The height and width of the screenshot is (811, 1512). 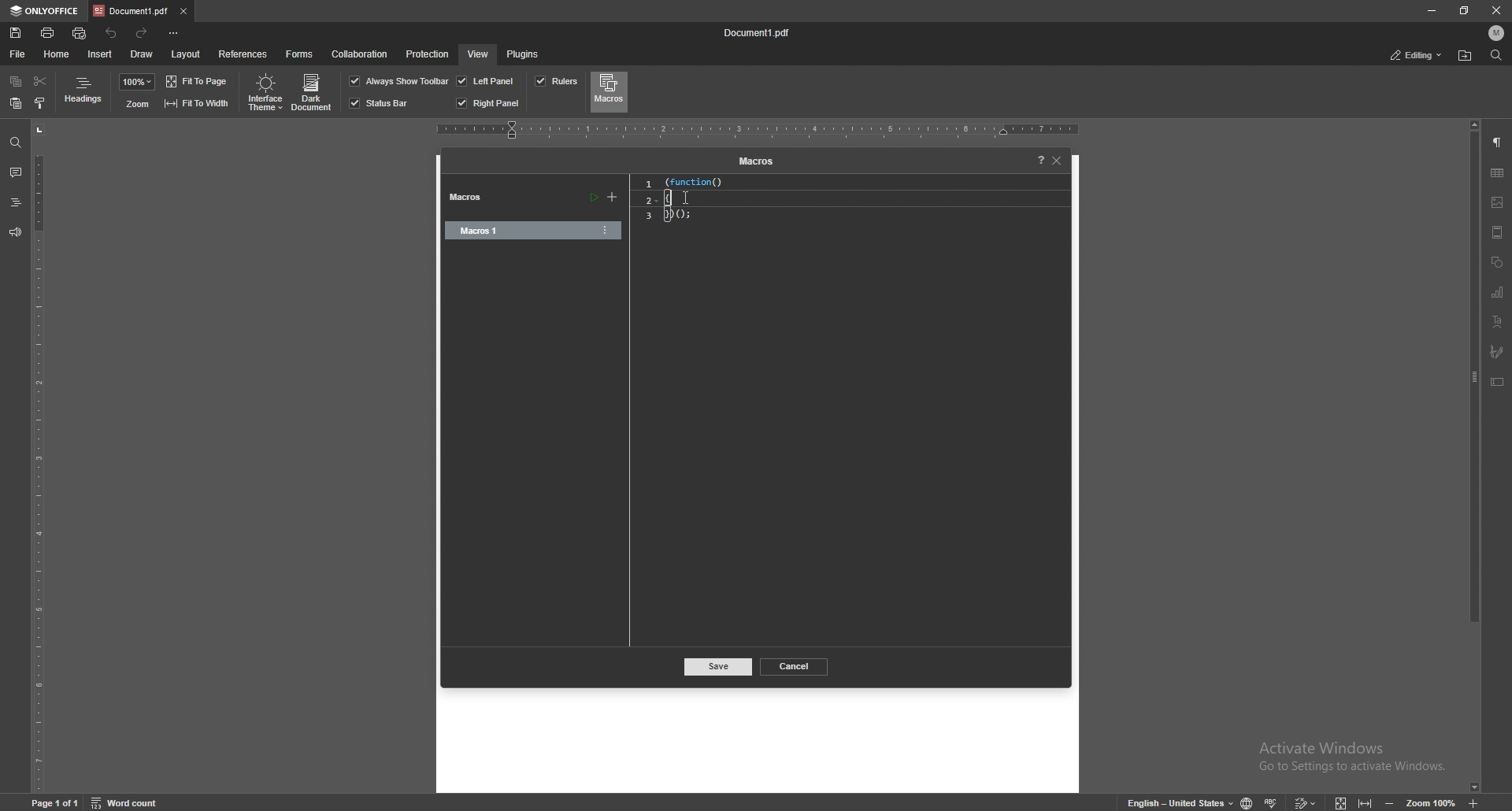 What do you see at coordinates (1497, 321) in the screenshot?
I see `text art` at bounding box center [1497, 321].